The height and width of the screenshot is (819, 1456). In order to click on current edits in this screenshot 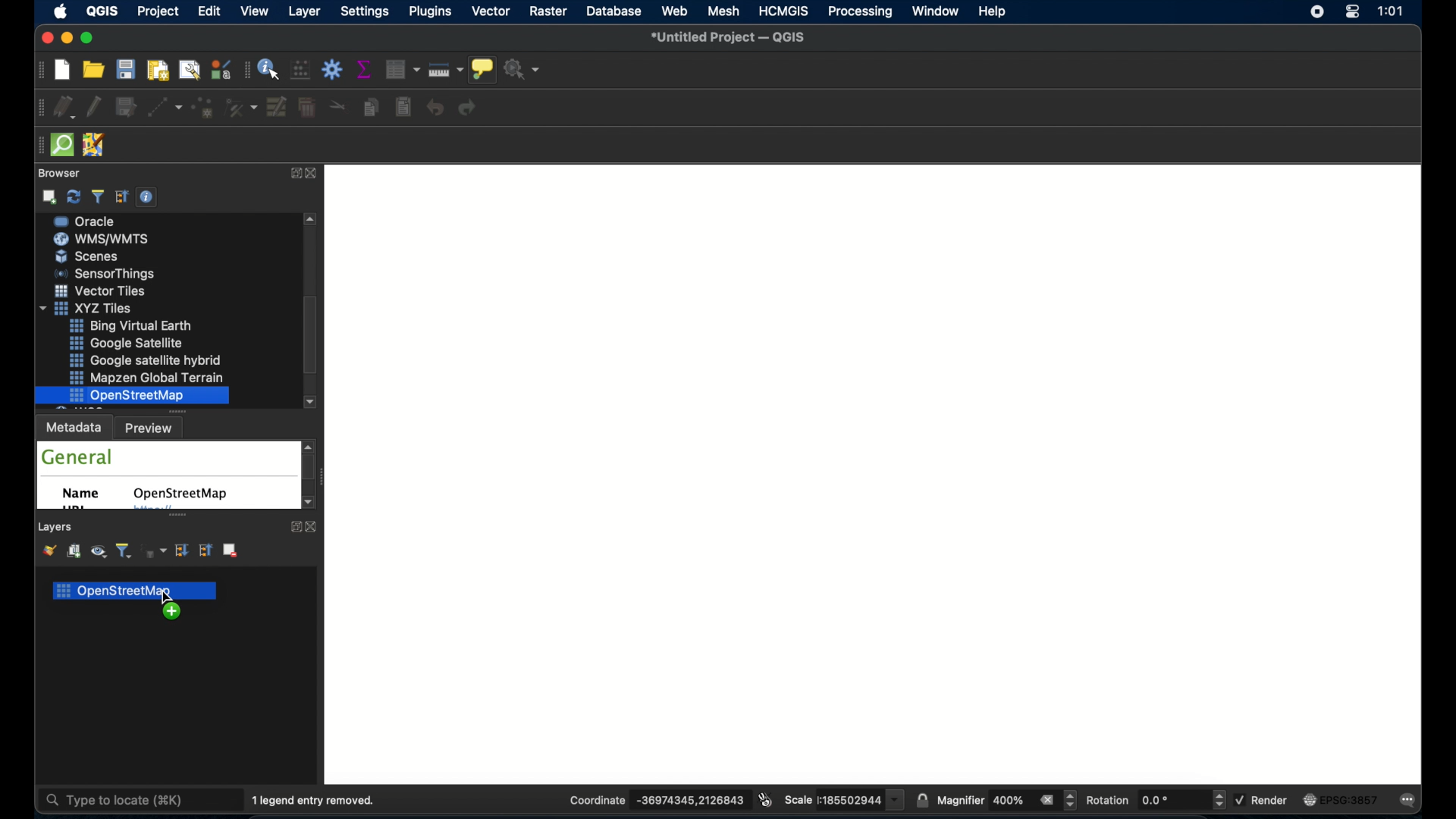, I will do `click(64, 108)`.